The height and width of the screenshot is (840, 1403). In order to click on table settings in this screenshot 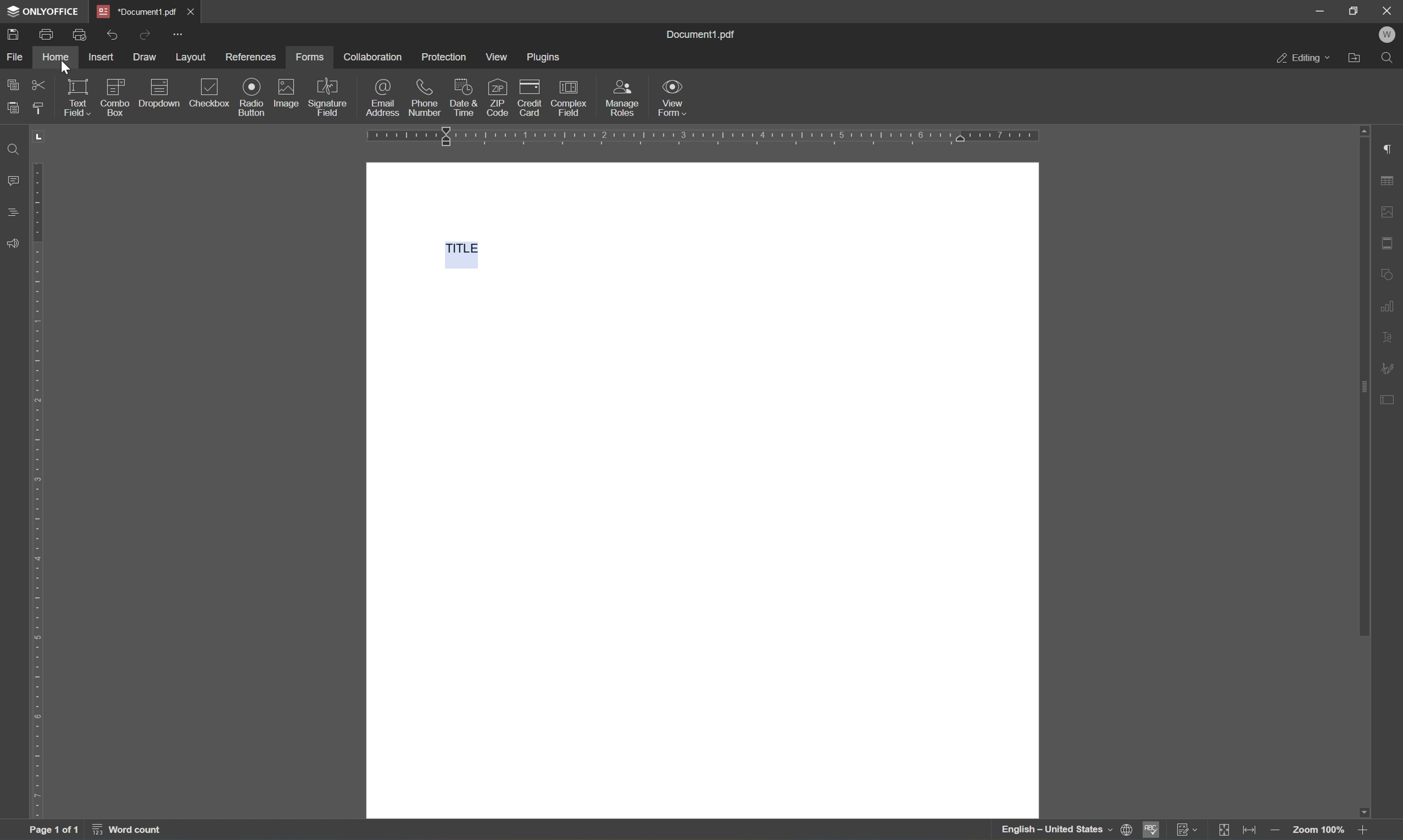, I will do `click(1391, 180)`.